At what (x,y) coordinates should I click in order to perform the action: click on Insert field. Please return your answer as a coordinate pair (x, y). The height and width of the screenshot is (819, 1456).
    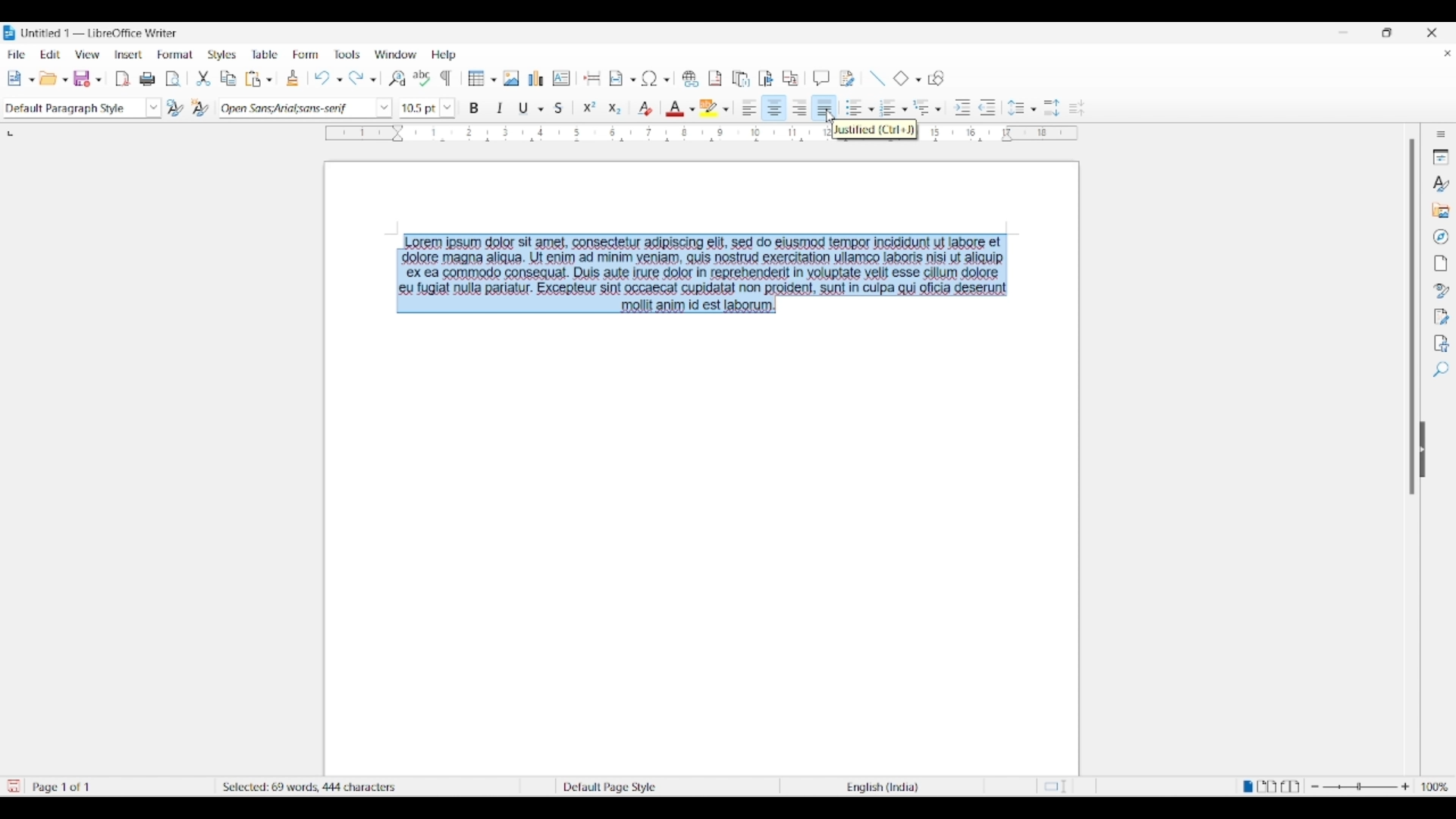
    Looking at the image, I should click on (617, 79).